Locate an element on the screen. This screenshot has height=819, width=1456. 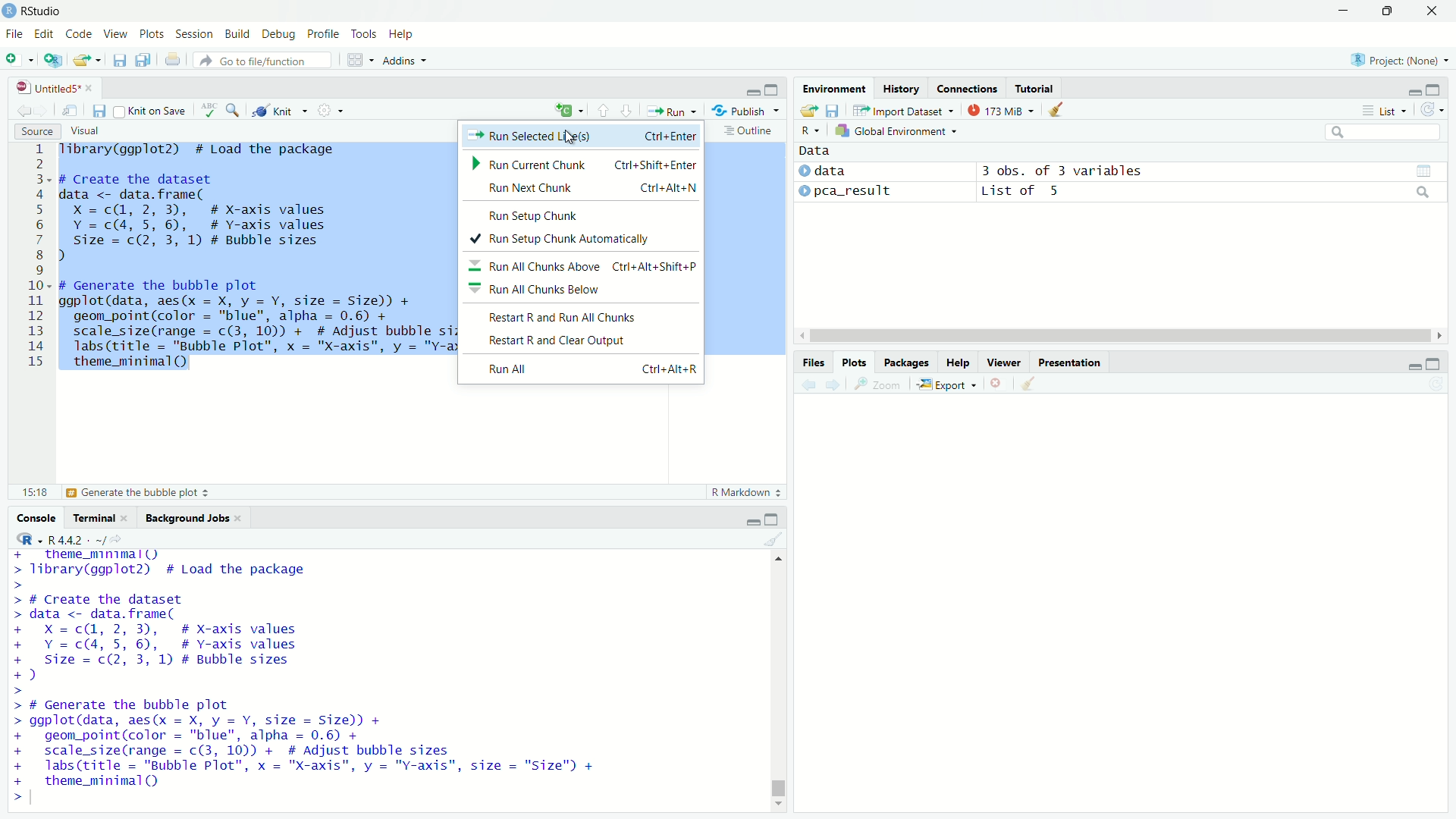
run all chunks above is located at coordinates (583, 265).